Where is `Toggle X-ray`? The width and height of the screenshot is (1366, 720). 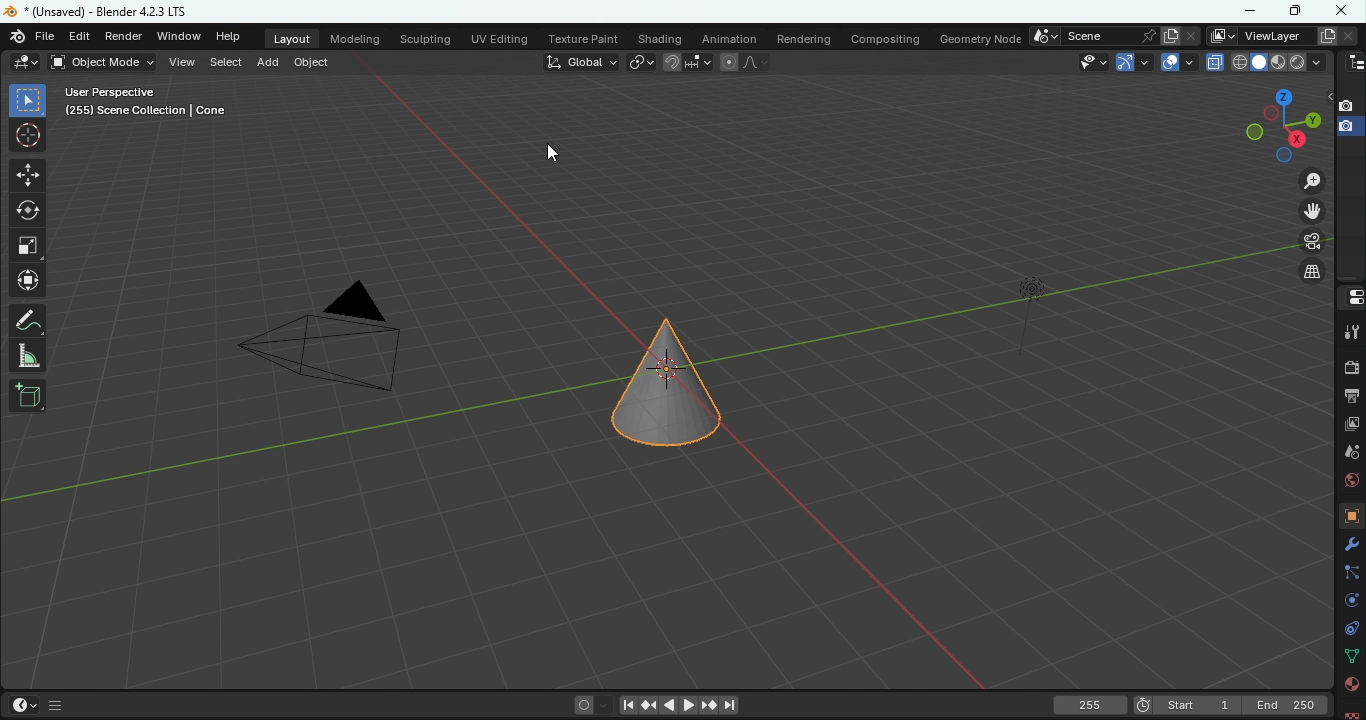 Toggle X-ray is located at coordinates (1216, 63).